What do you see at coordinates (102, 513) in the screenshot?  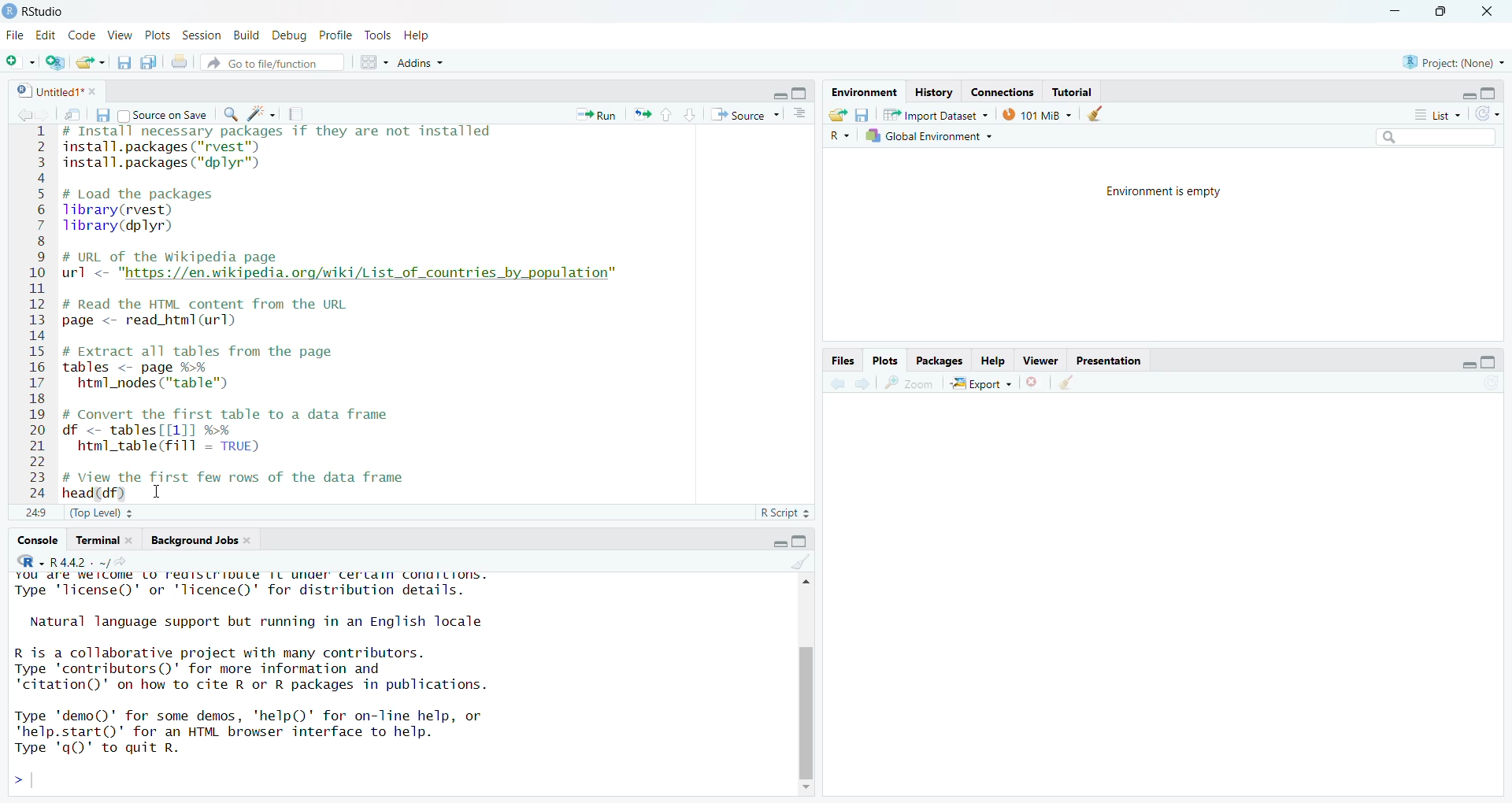 I see `(Top level)` at bounding box center [102, 513].